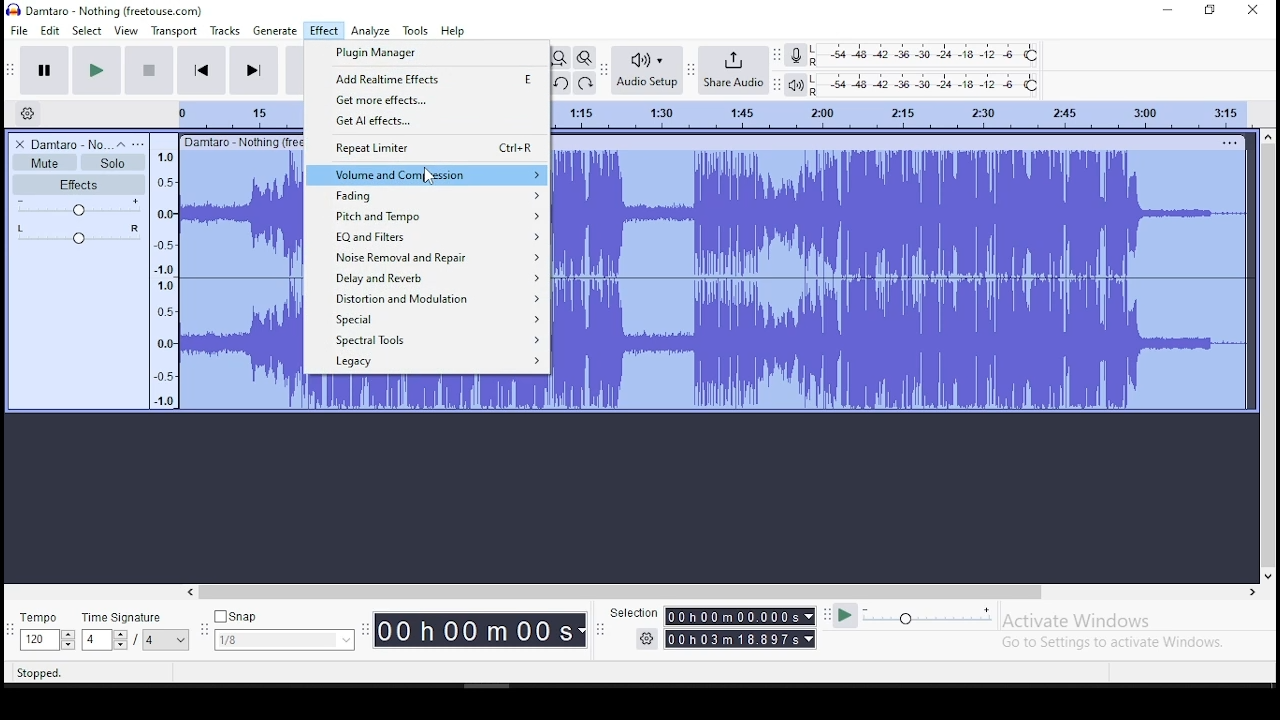 The image size is (1280, 720). Describe the element at coordinates (479, 631) in the screenshot. I see `00 h 00 m 00 s` at that location.